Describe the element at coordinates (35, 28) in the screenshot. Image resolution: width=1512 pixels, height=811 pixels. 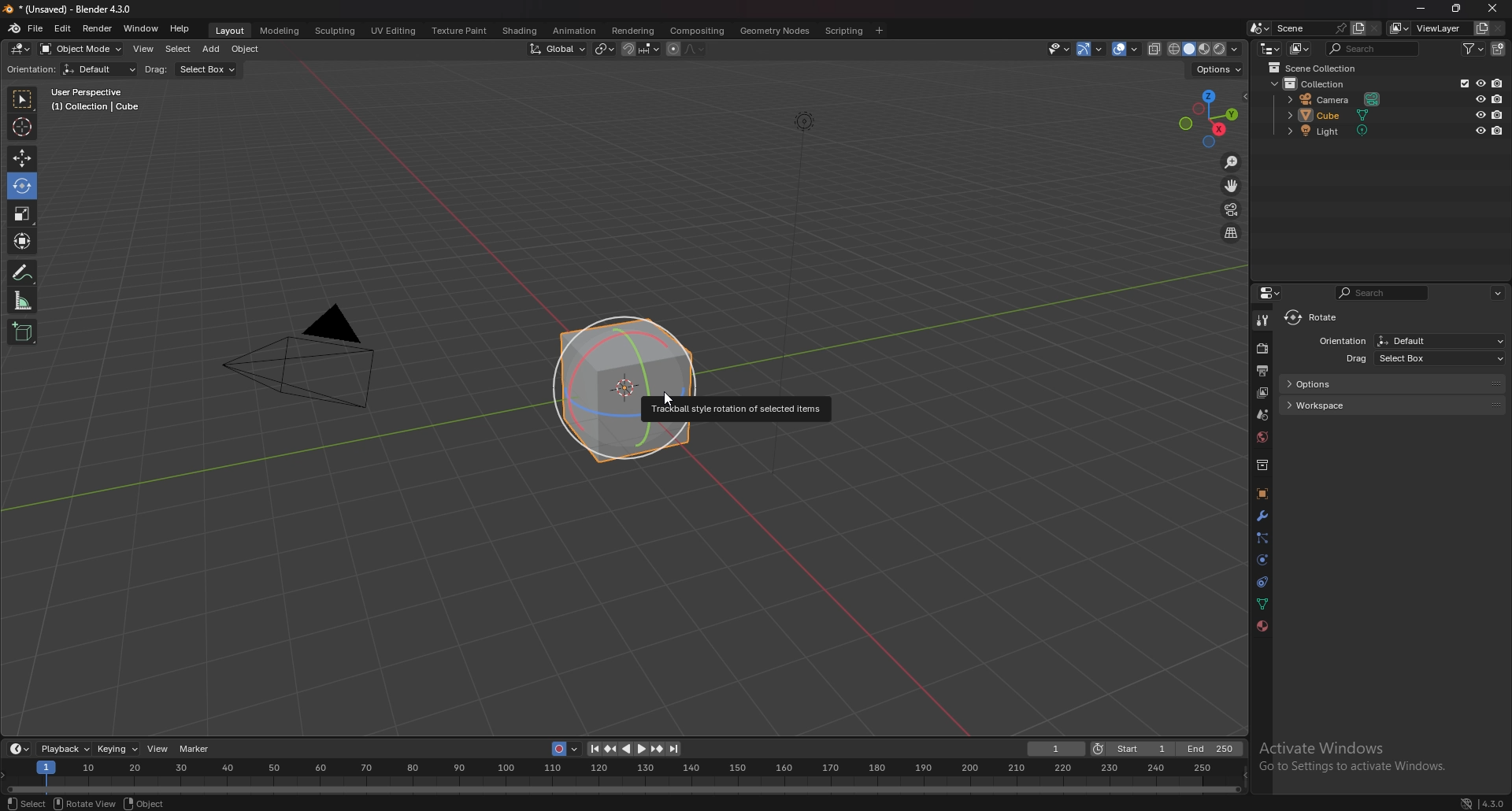
I see `file` at that location.